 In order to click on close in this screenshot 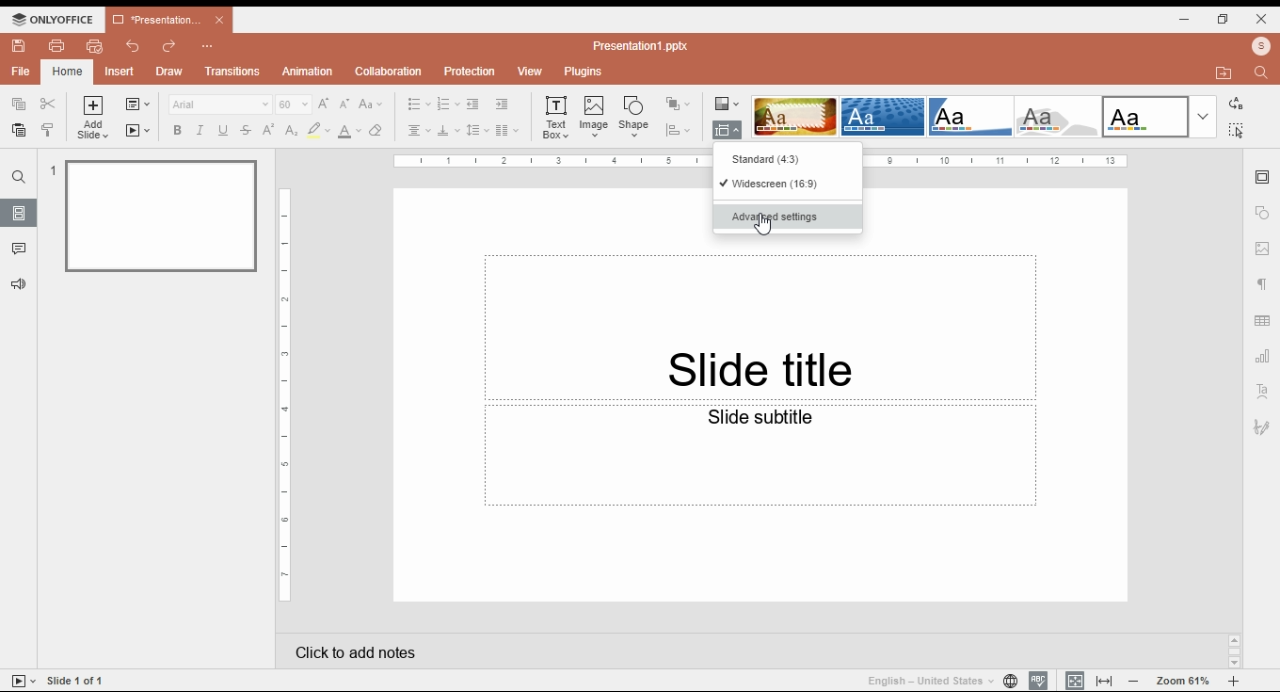, I will do `click(1262, 18)`.